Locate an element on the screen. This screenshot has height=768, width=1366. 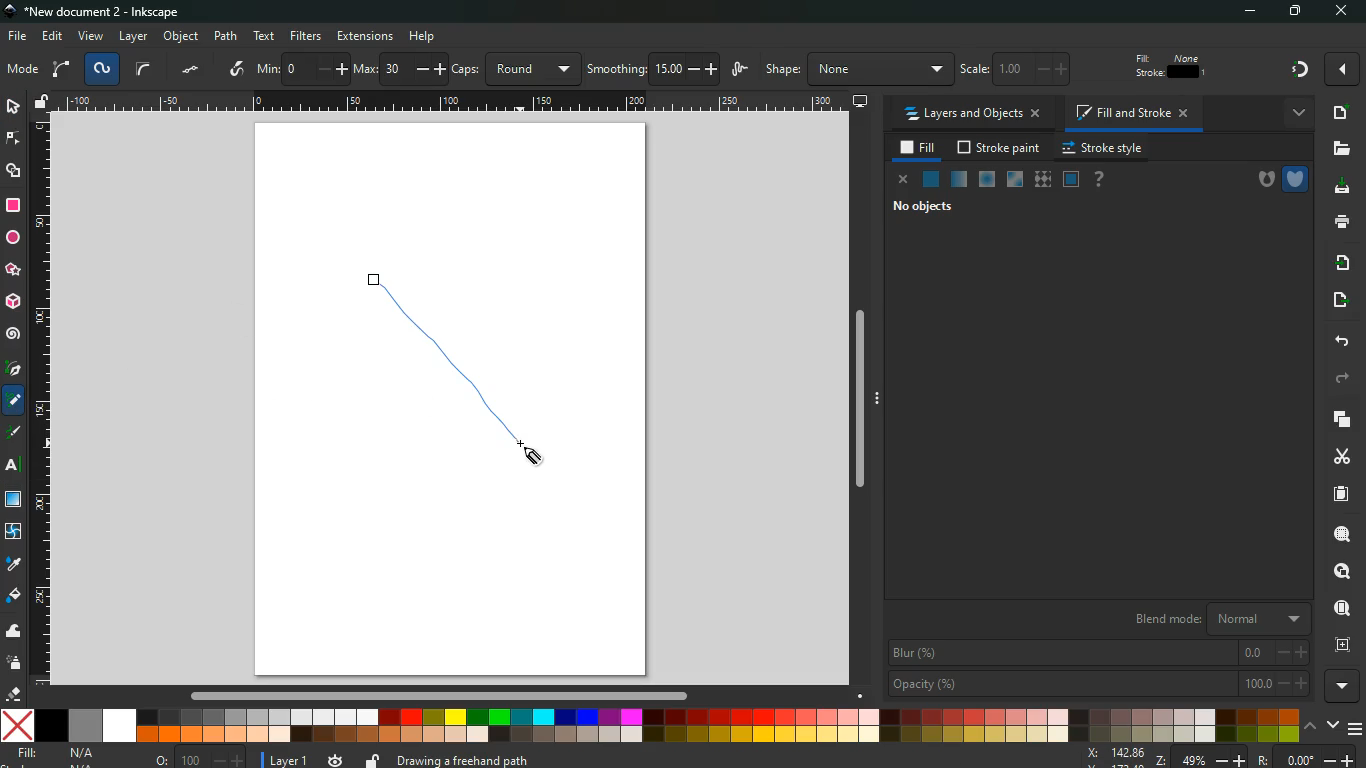
no objects is located at coordinates (941, 208).